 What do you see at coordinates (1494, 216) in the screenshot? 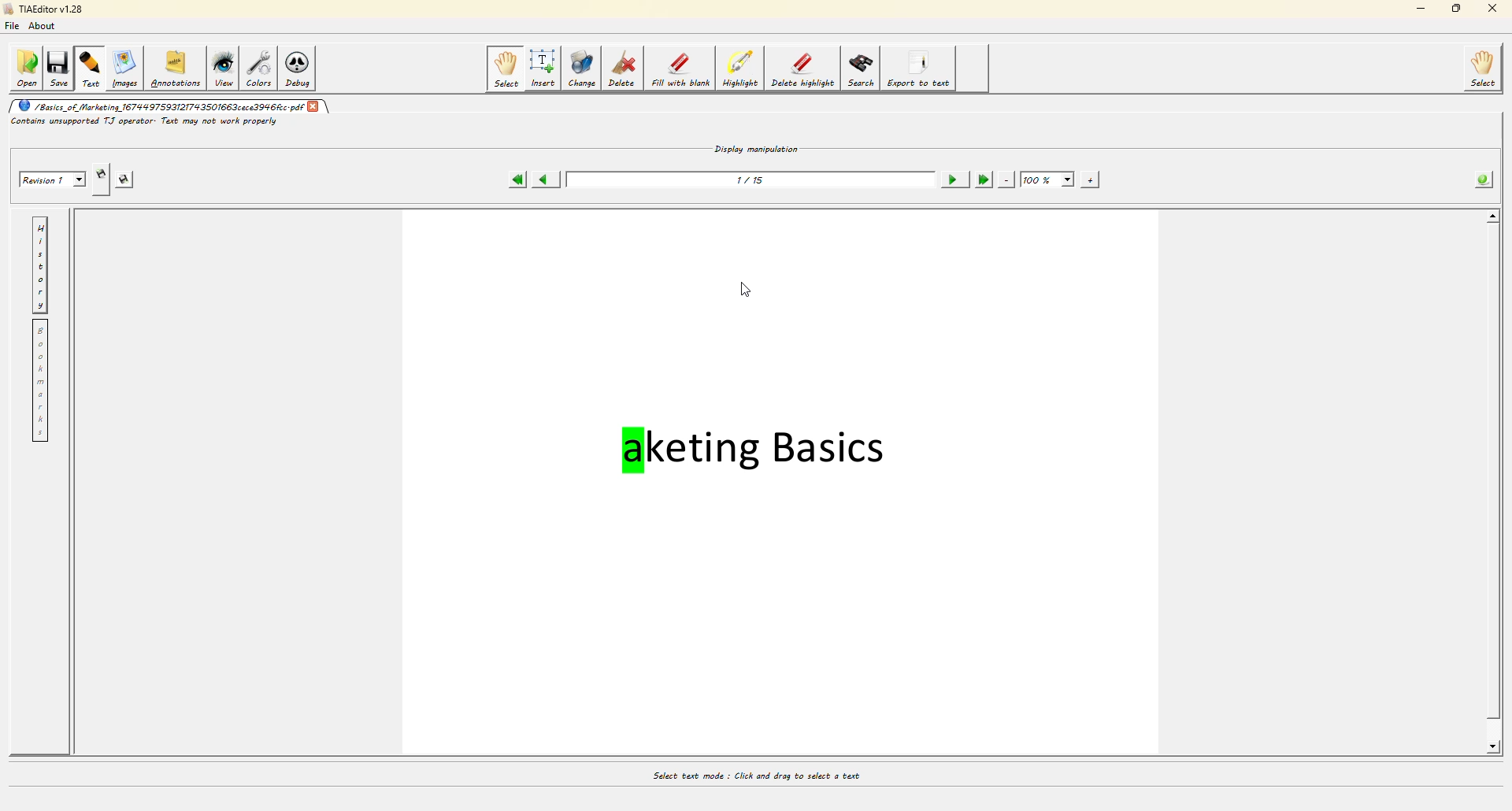
I see `move up` at bounding box center [1494, 216].